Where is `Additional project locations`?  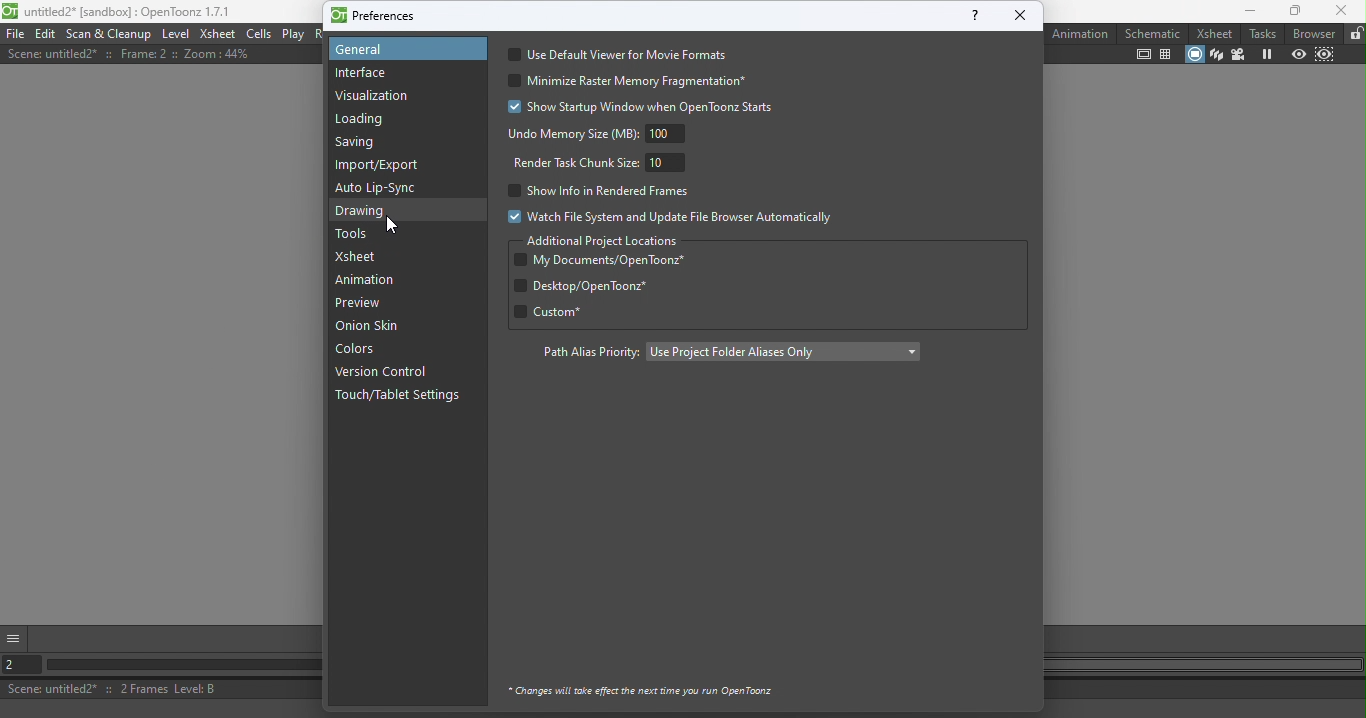
Additional project locations is located at coordinates (604, 241).